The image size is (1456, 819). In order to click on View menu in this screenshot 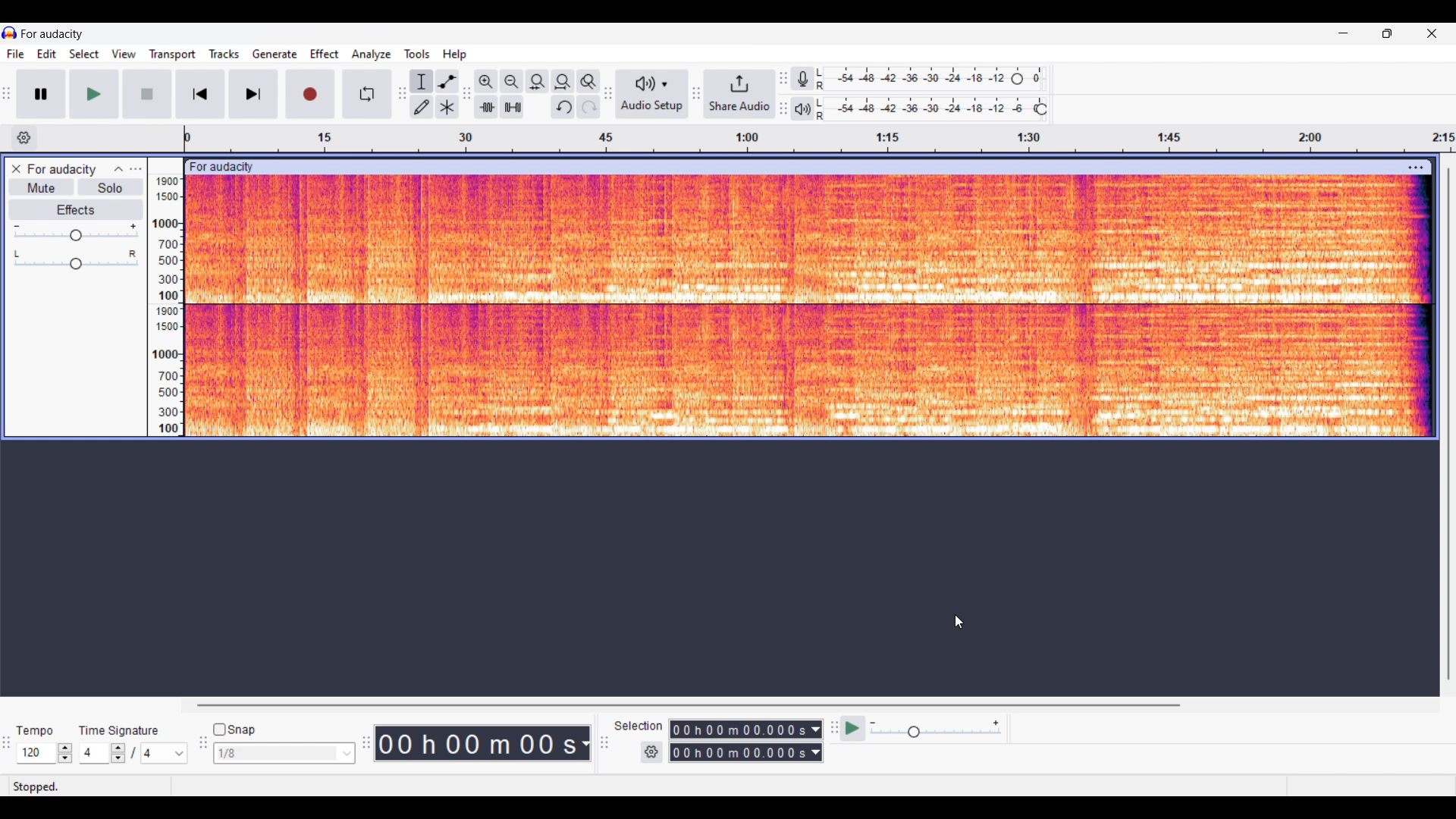, I will do `click(124, 54)`.